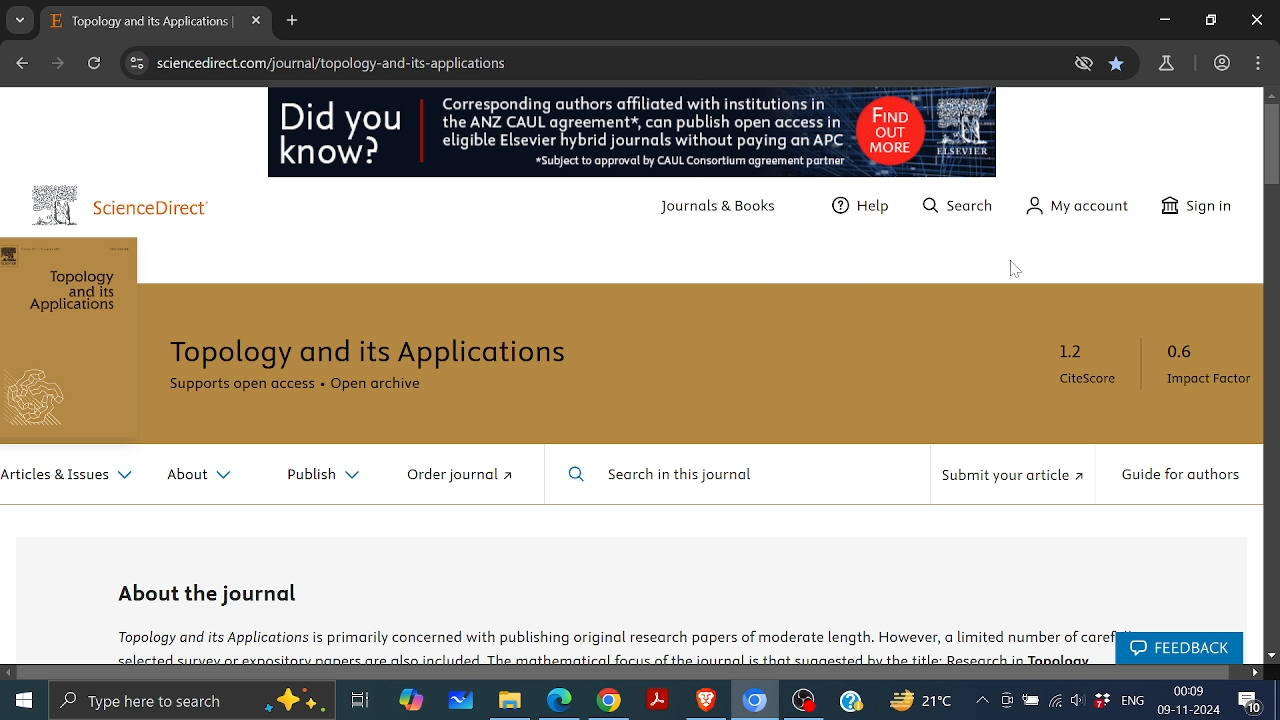 Image resolution: width=1280 pixels, height=720 pixels. Describe the element at coordinates (1055, 700) in the screenshot. I see `Internet Access` at that location.